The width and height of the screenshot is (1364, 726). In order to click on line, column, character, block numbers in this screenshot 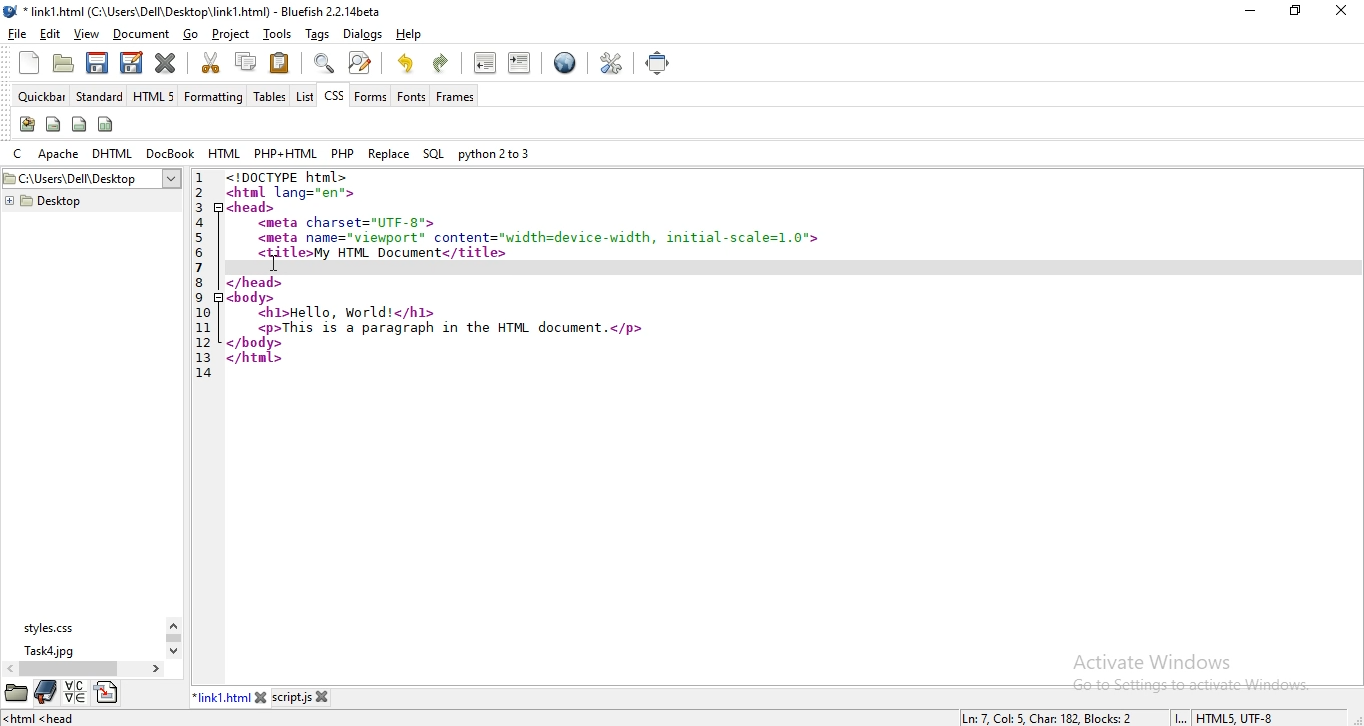, I will do `click(1046, 718)`.